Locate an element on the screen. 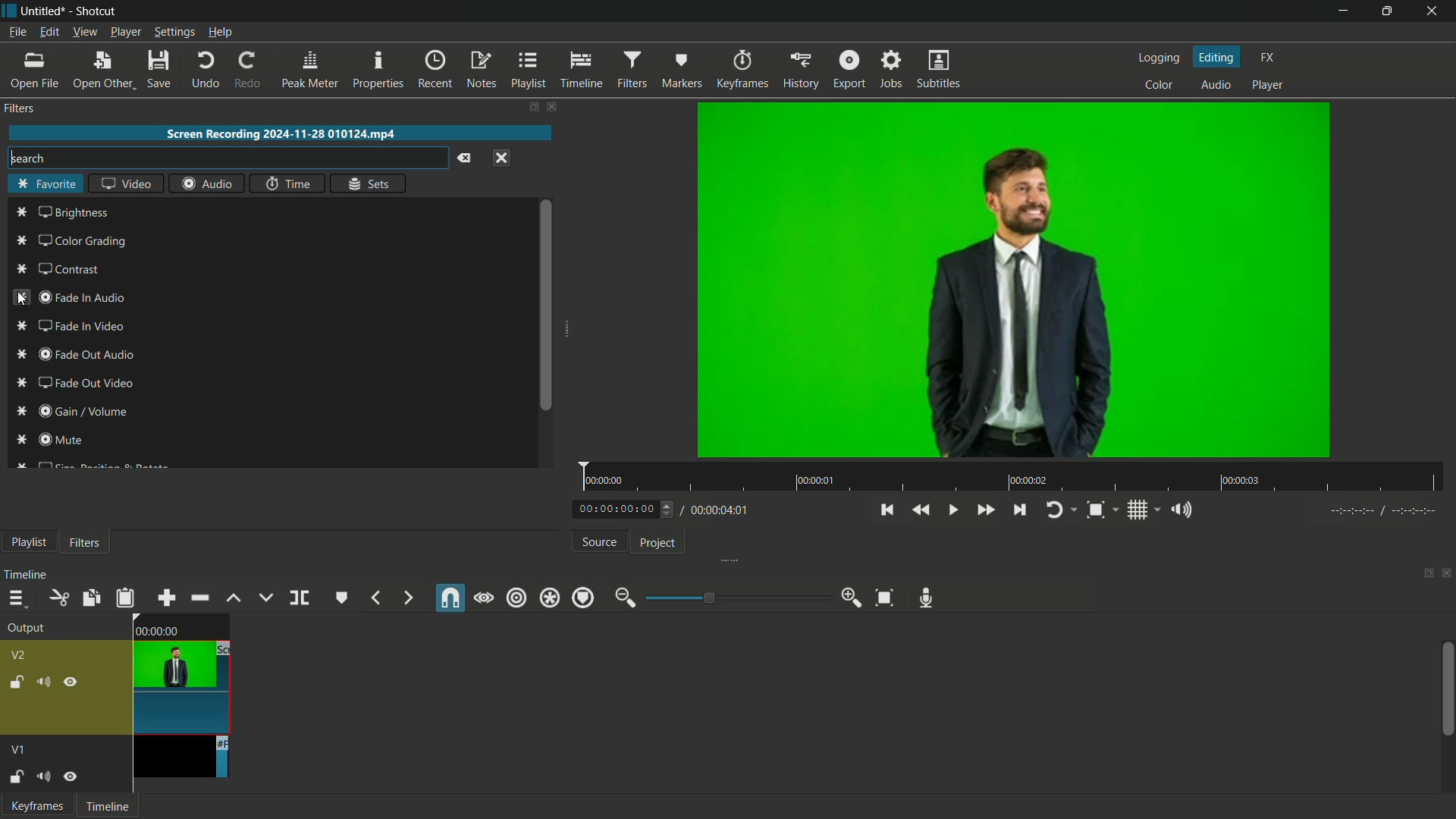 This screenshot has width=1456, height=819. skip to the next point is located at coordinates (1018, 510).